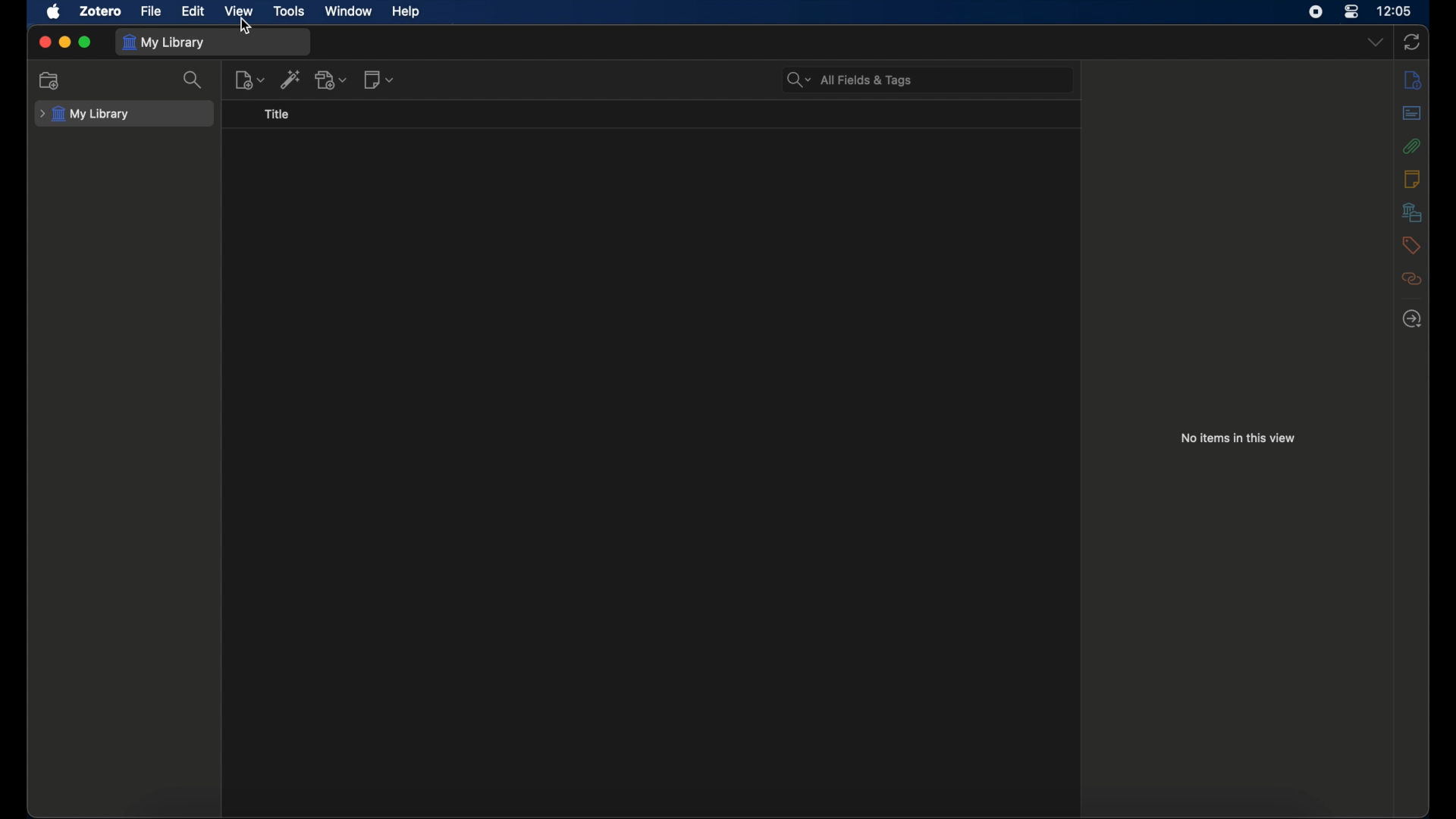  I want to click on search bar, so click(850, 80).